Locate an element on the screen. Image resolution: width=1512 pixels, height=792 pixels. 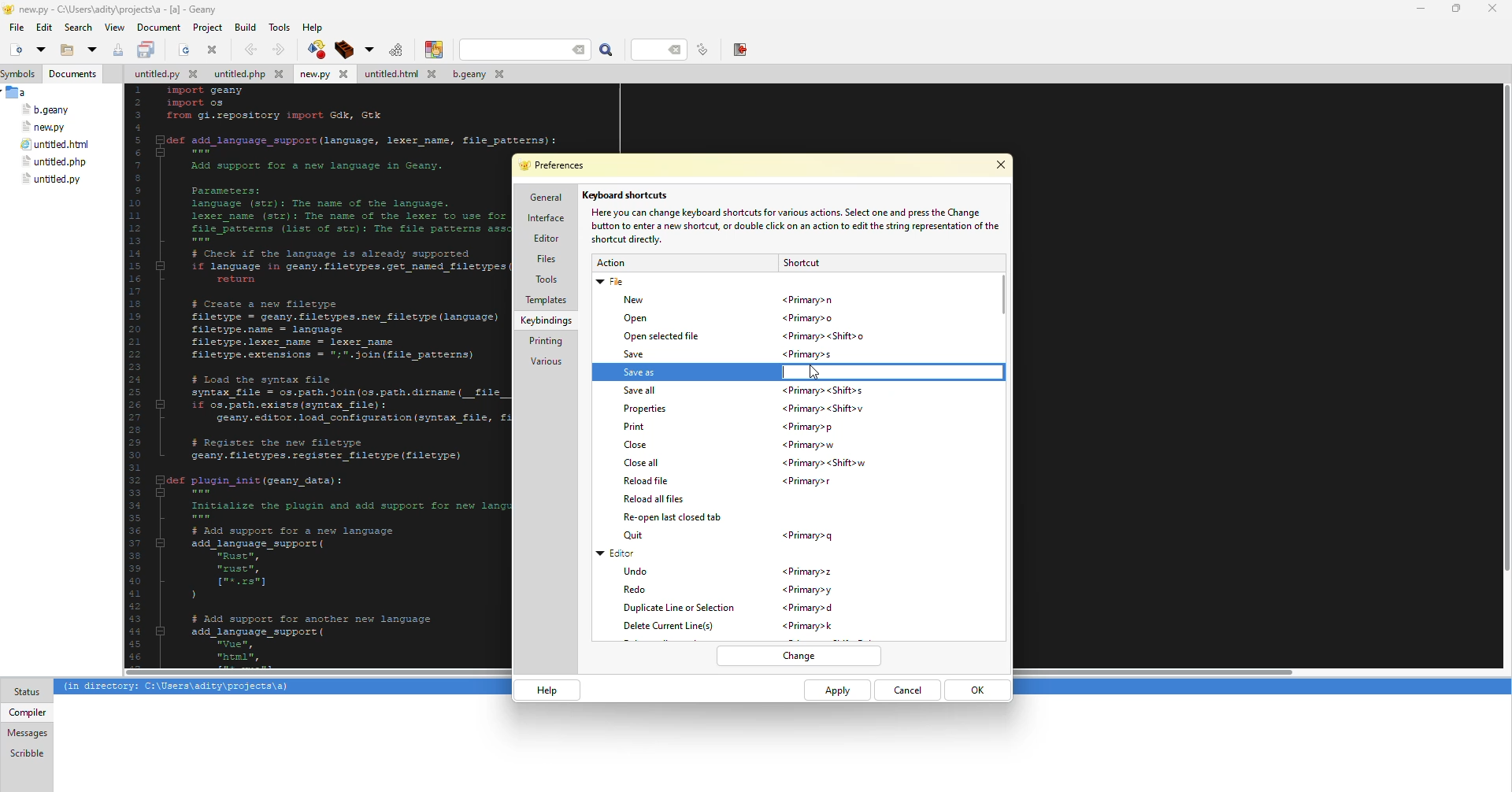
exit is located at coordinates (739, 49).